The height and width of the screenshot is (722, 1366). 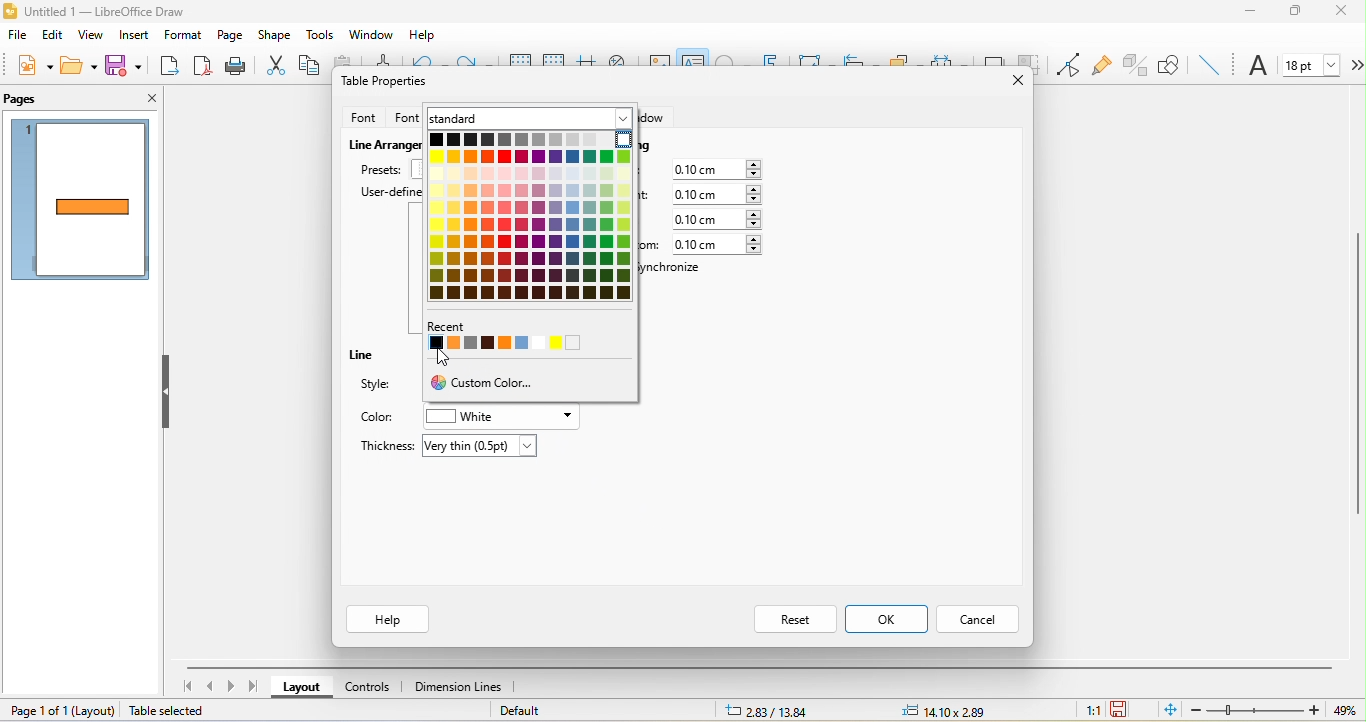 I want to click on thickness, so click(x=382, y=444).